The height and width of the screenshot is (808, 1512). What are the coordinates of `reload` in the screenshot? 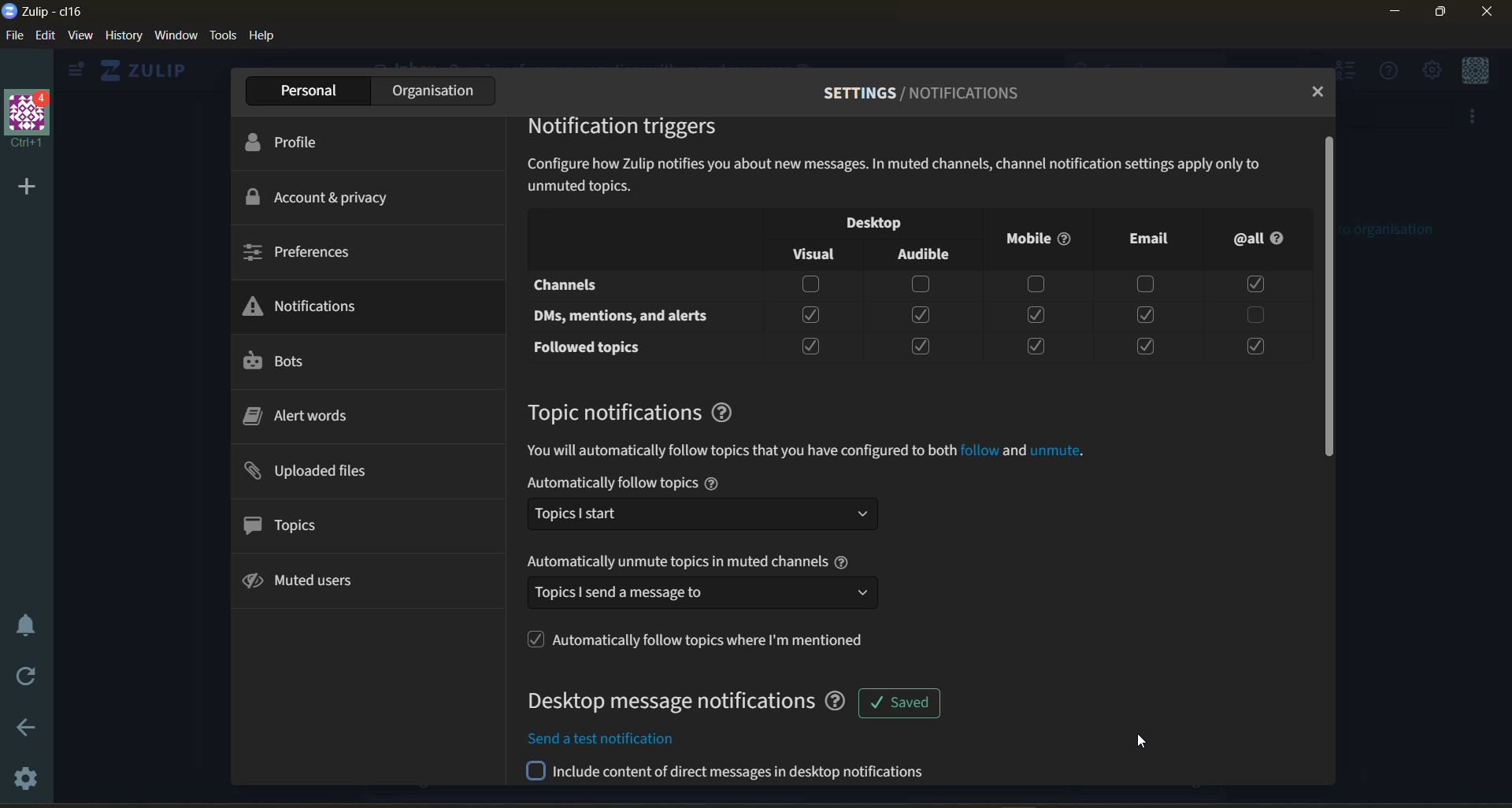 It's located at (28, 677).